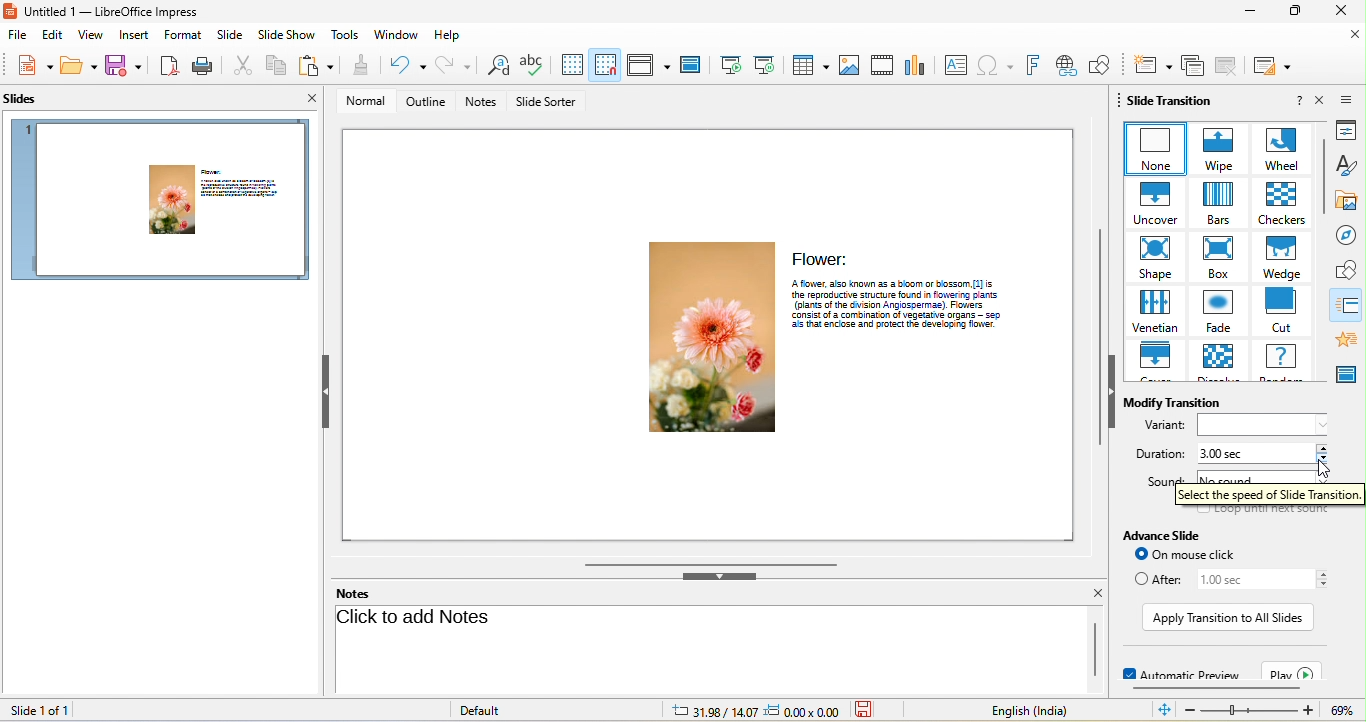  Describe the element at coordinates (906, 315) in the screenshot. I see `consist of a combination of vegetative organs —- sep` at that location.